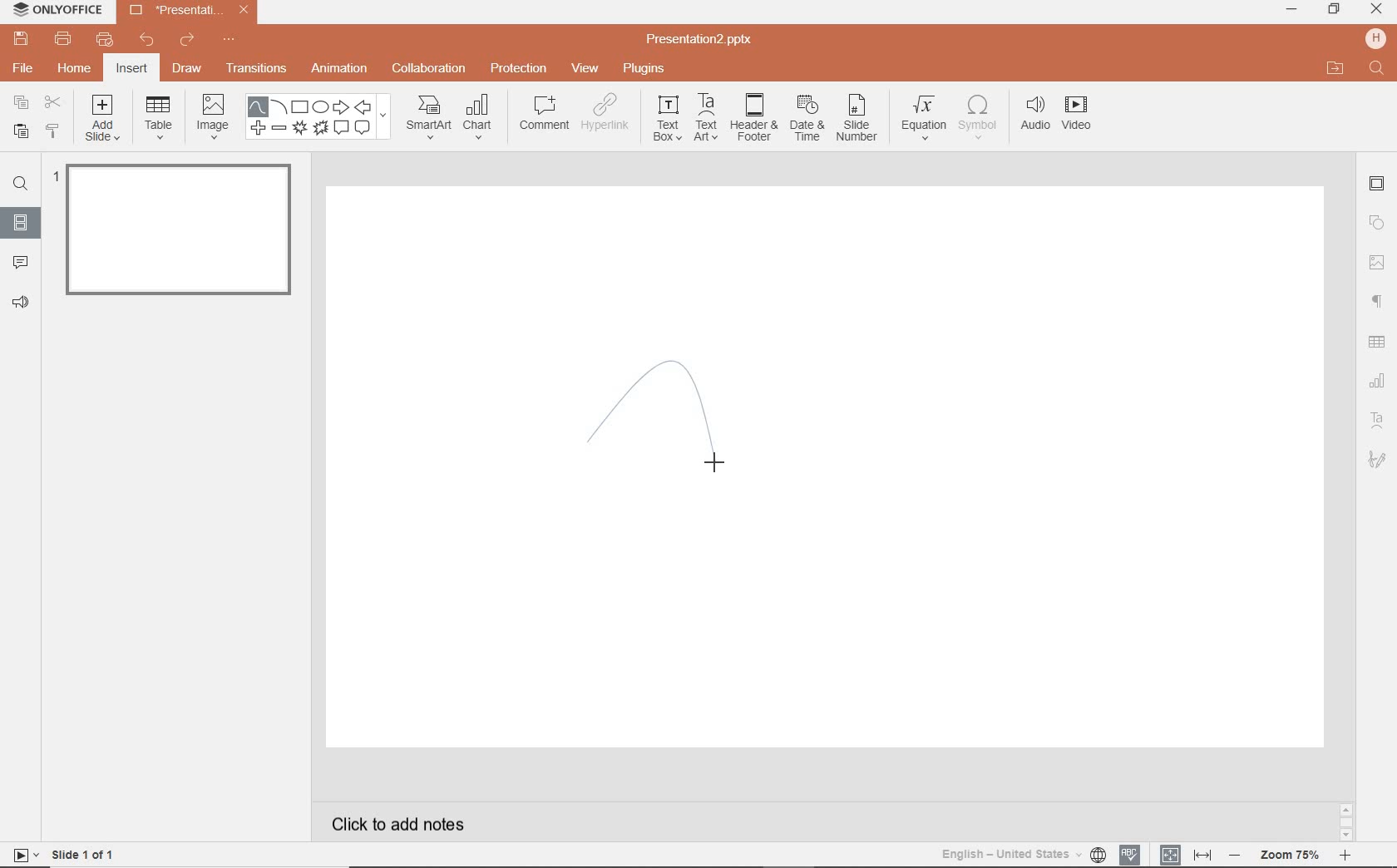 The height and width of the screenshot is (868, 1397). I want to click on CHART, so click(481, 119).